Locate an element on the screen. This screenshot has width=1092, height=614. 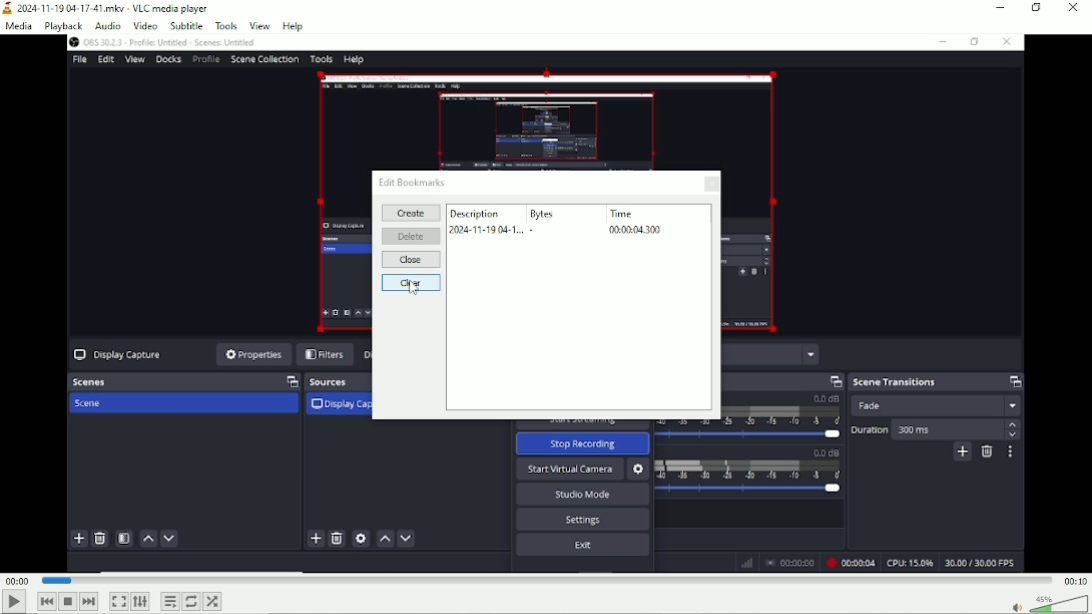
Next is located at coordinates (89, 601).